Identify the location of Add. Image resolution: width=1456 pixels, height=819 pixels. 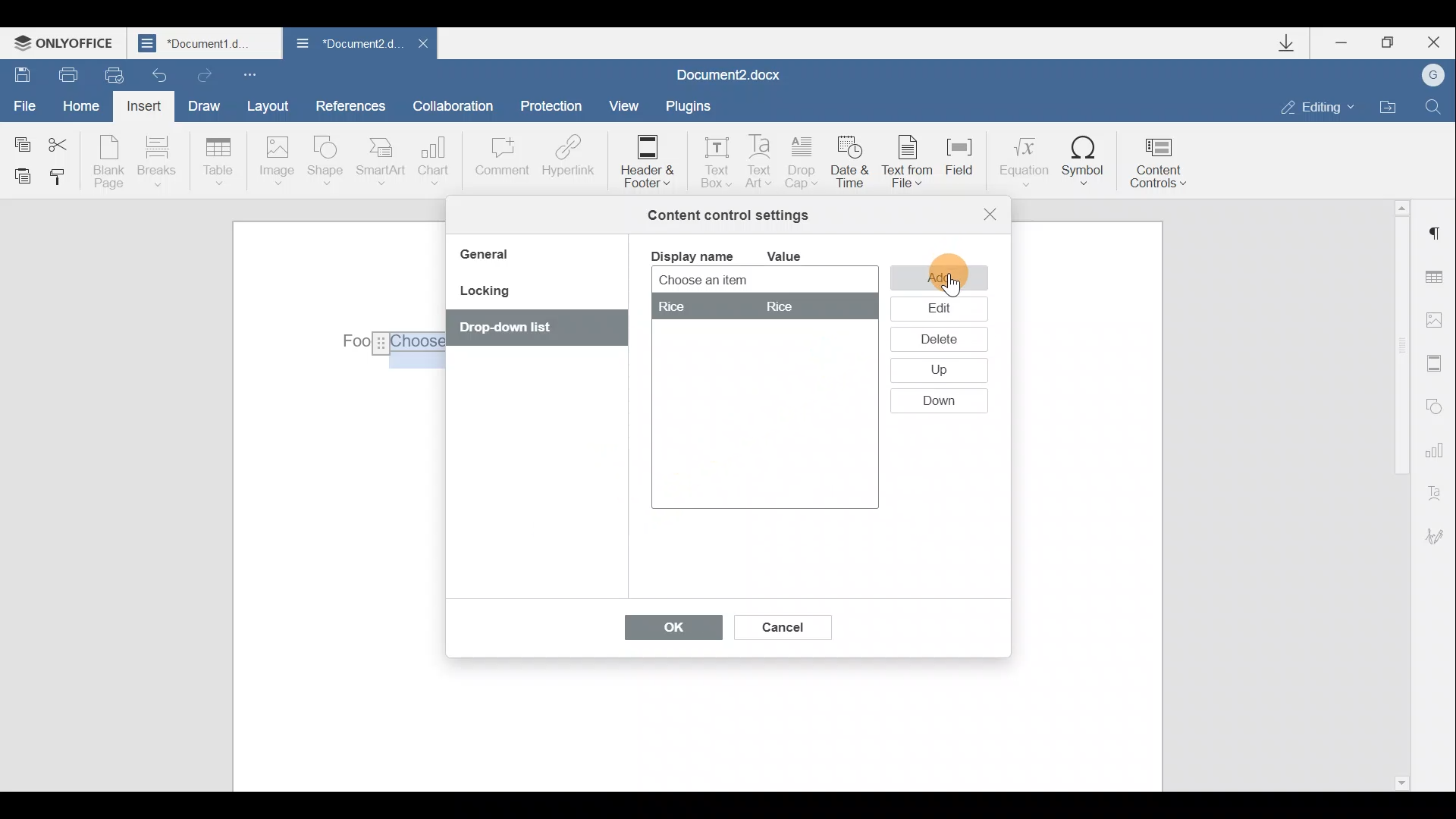
(939, 277).